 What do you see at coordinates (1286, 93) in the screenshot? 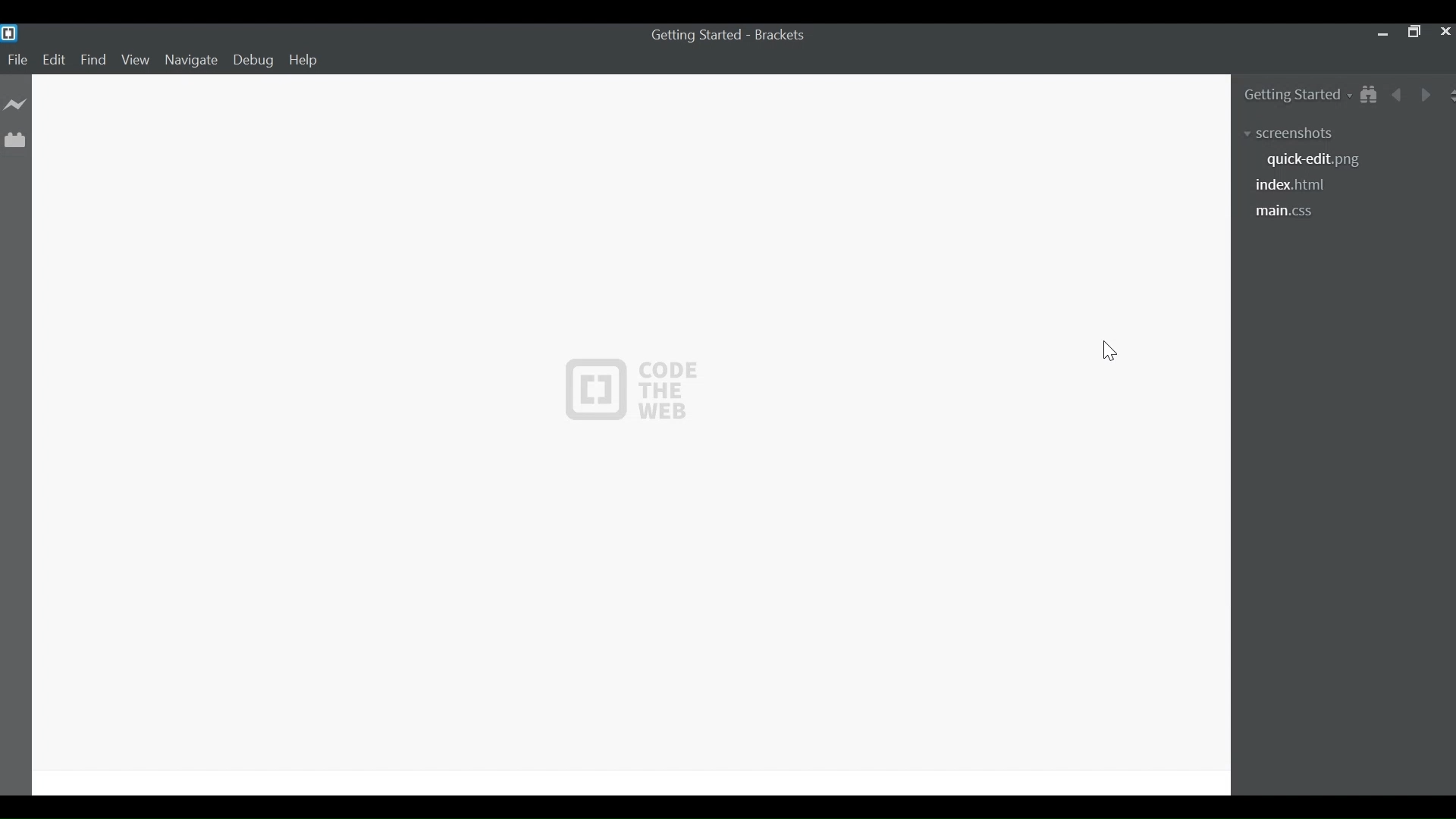
I see `Getting Stated` at bounding box center [1286, 93].